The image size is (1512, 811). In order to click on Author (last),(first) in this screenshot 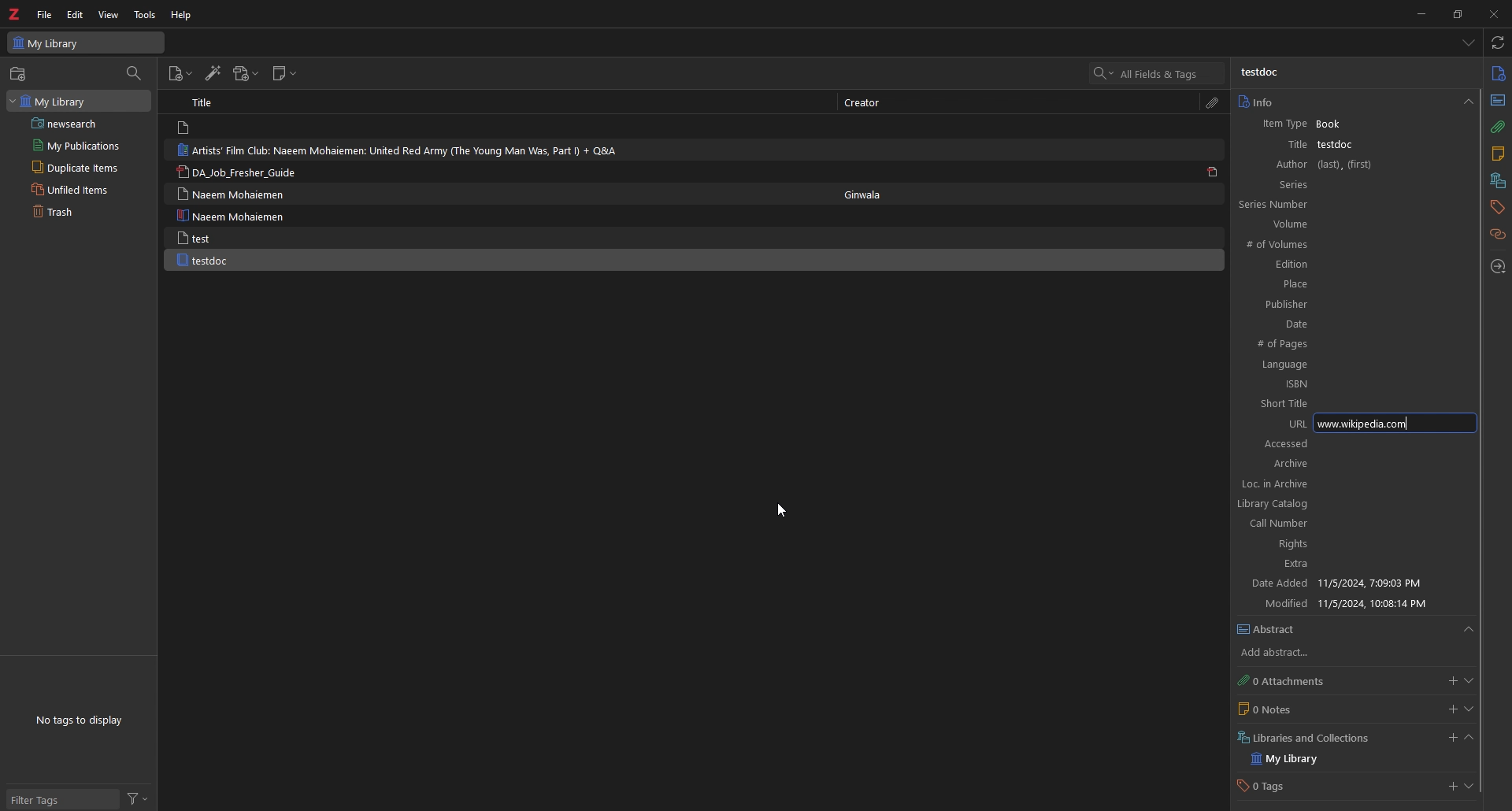, I will do `click(1322, 165)`.